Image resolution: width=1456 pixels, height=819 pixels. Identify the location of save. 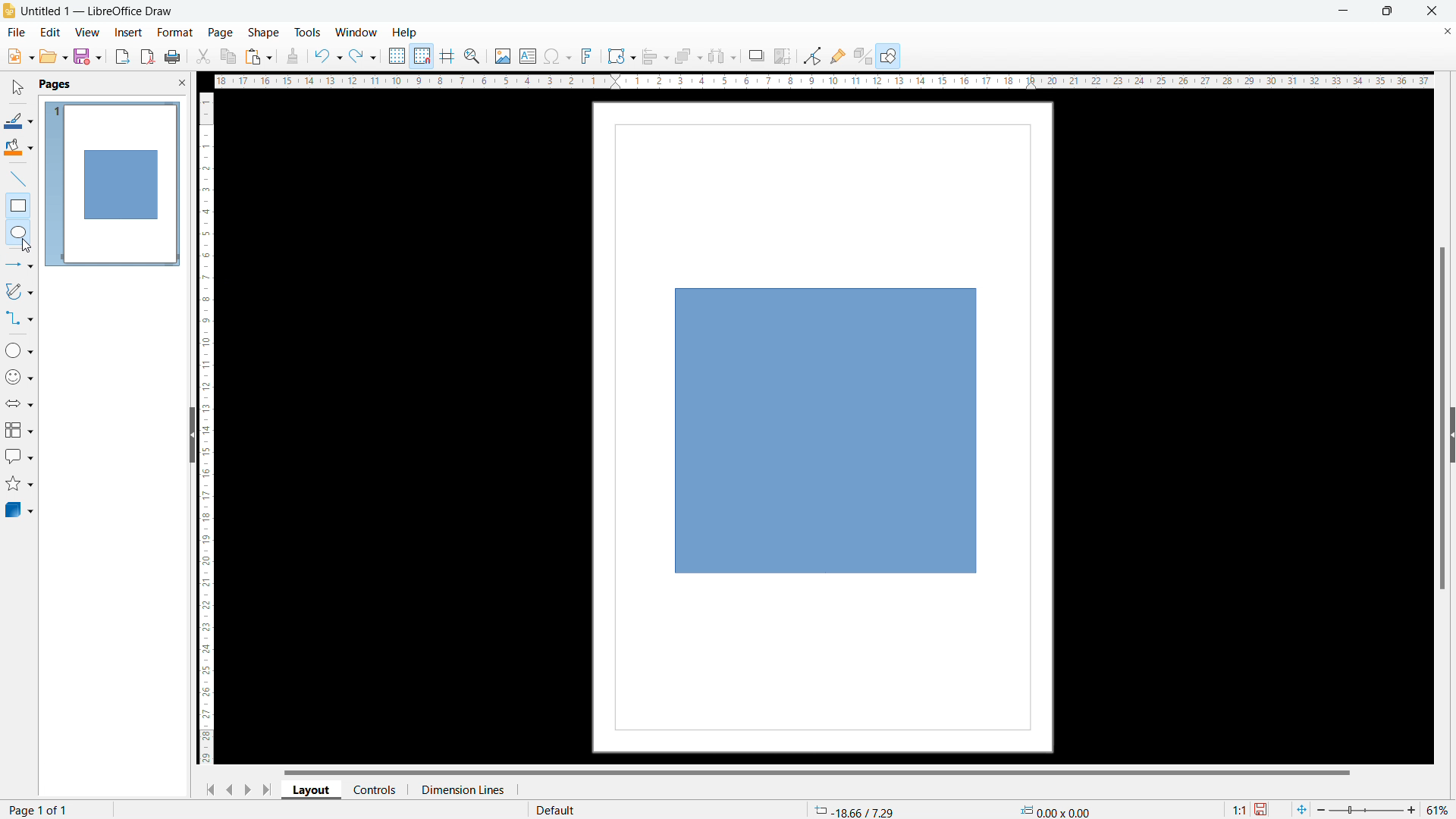
(1263, 810).